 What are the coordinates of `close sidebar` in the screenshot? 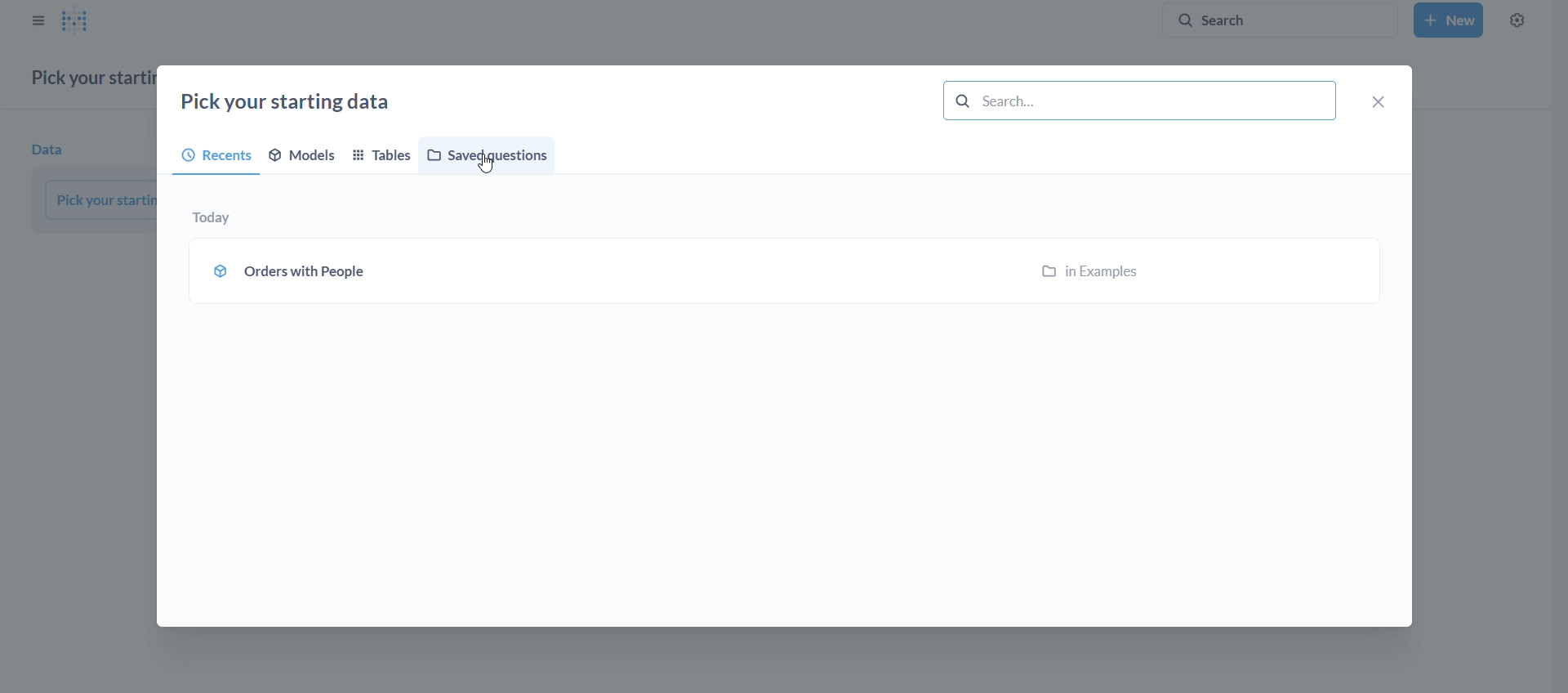 It's located at (38, 20).